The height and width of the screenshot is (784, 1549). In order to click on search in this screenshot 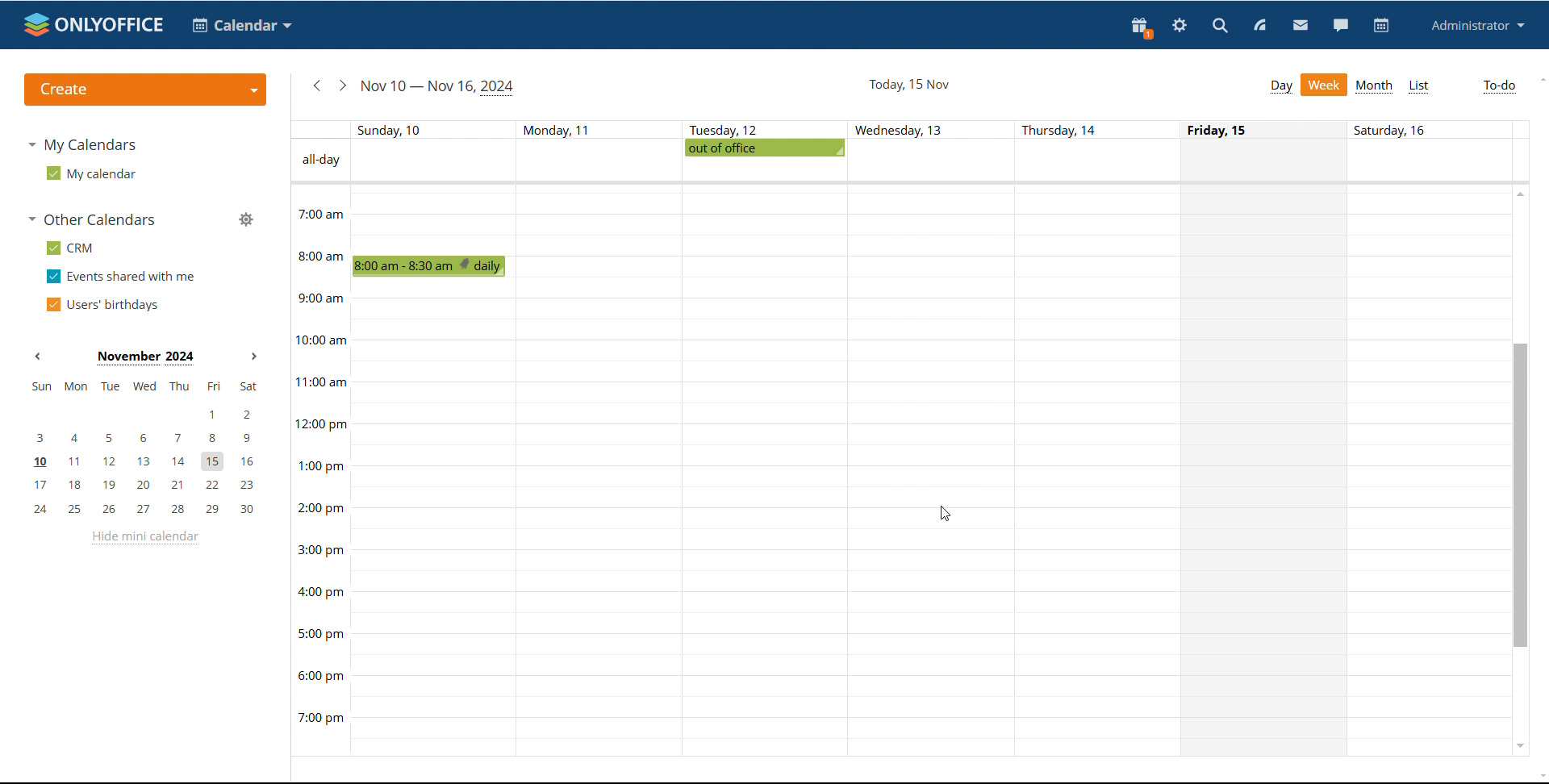, I will do `click(1219, 26)`.